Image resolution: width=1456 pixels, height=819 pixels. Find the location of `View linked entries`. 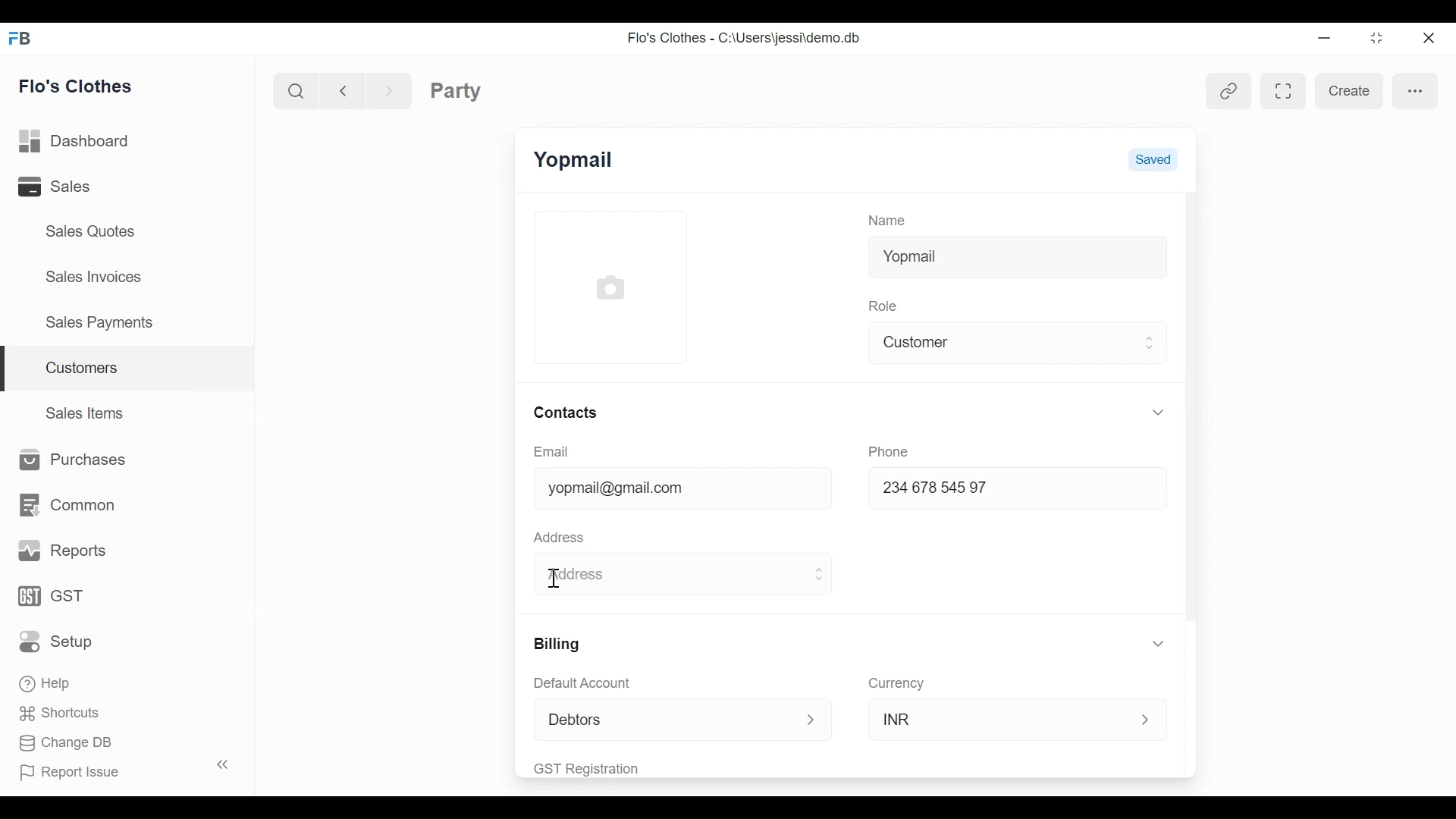

View linked entries is located at coordinates (1225, 91).